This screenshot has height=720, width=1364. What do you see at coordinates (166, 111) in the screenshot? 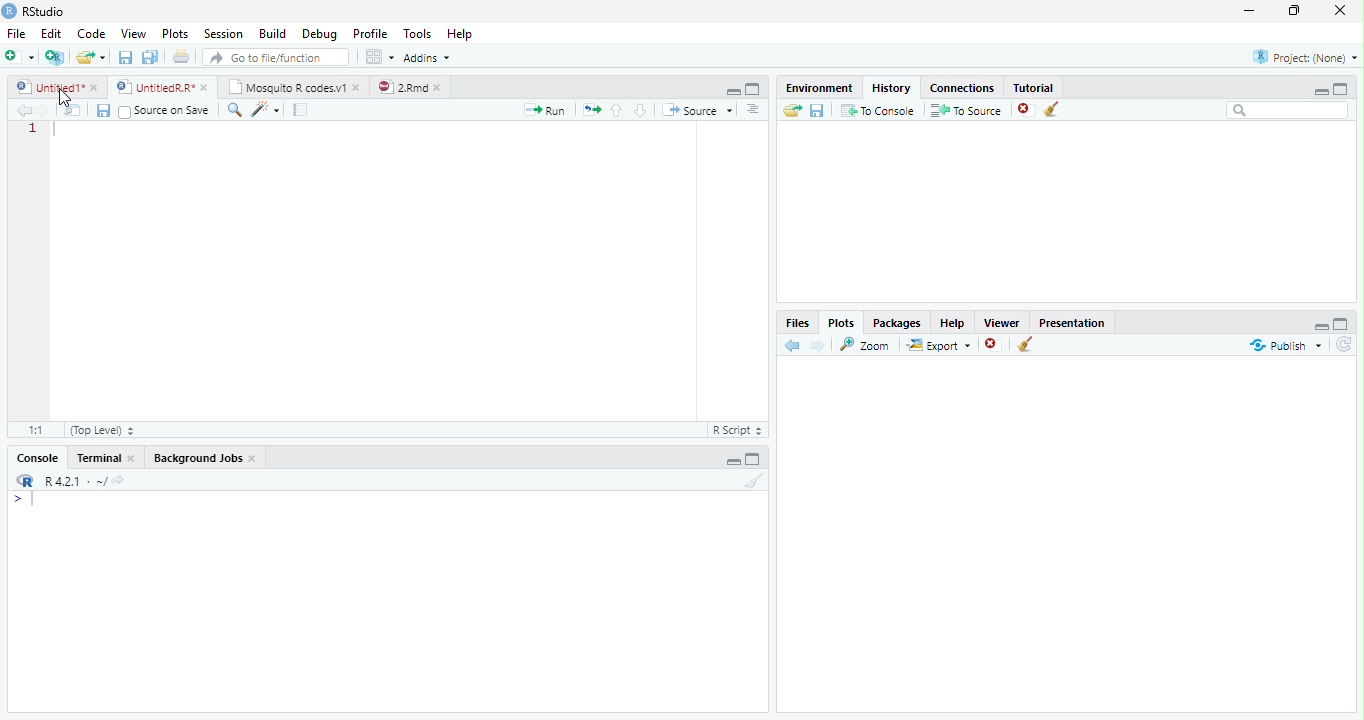
I see `Source on save` at bounding box center [166, 111].